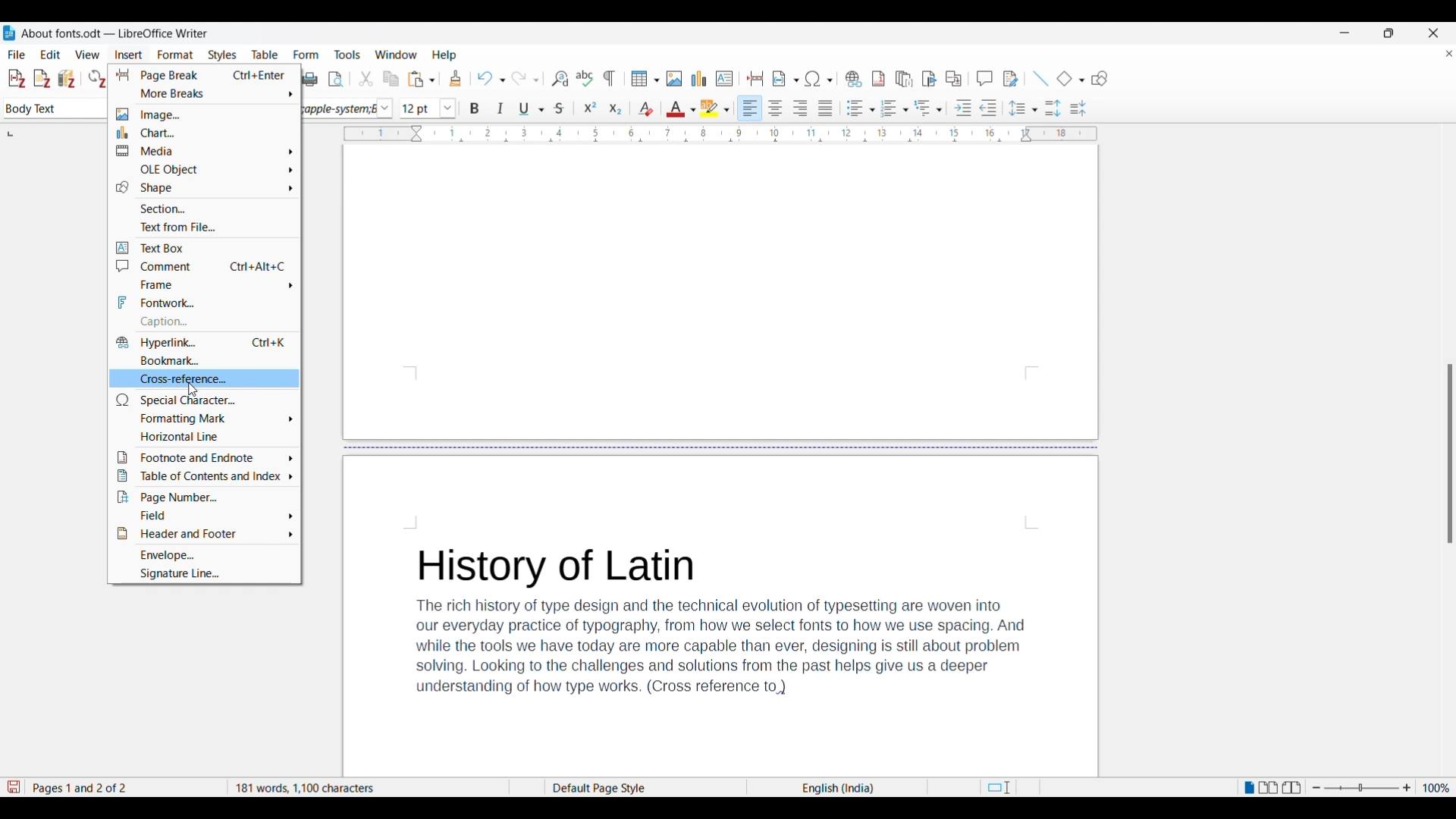  I want to click on Insert field options, so click(786, 78).